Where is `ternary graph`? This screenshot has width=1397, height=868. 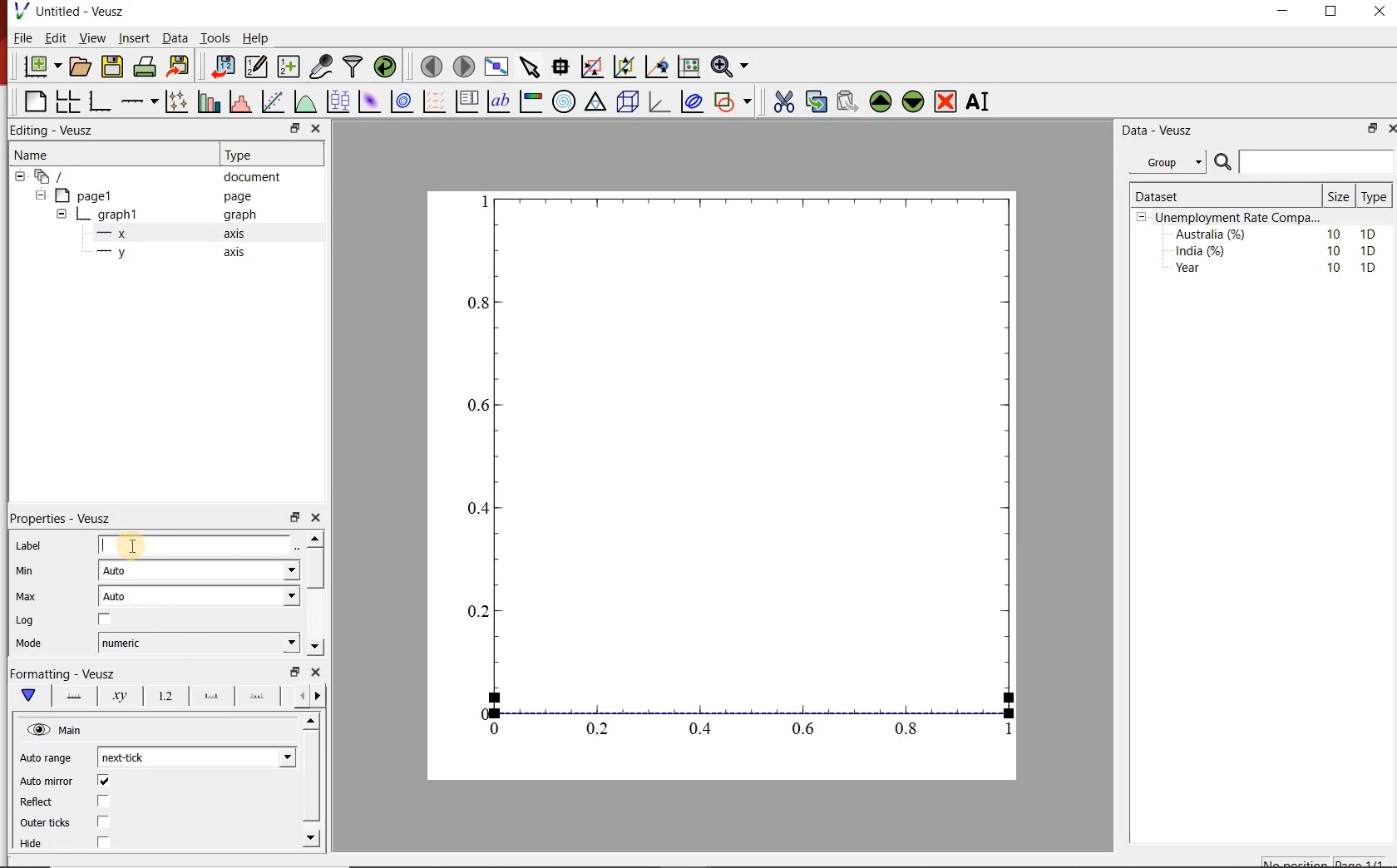
ternary graph is located at coordinates (595, 101).